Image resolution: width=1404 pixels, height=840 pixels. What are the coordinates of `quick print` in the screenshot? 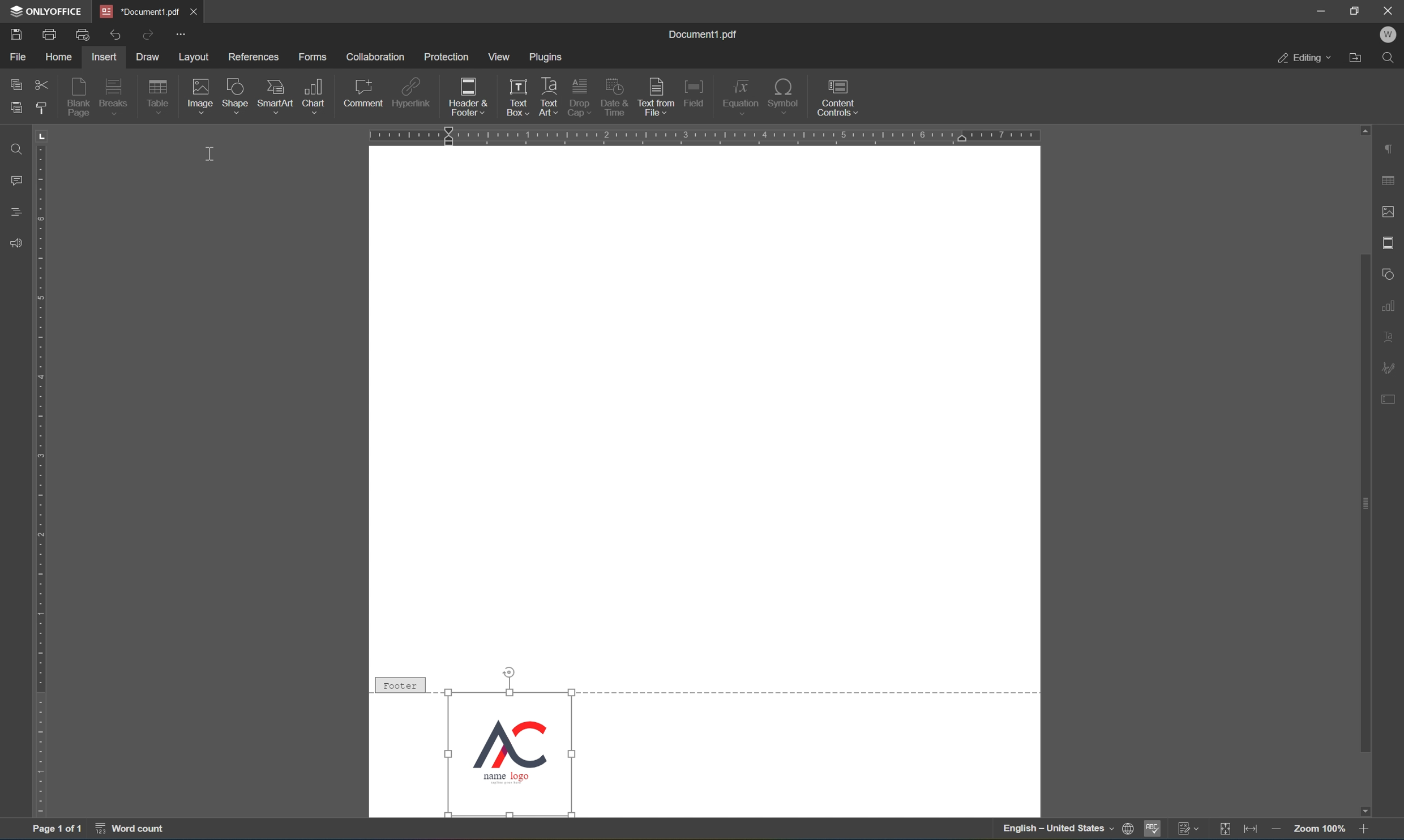 It's located at (83, 36).